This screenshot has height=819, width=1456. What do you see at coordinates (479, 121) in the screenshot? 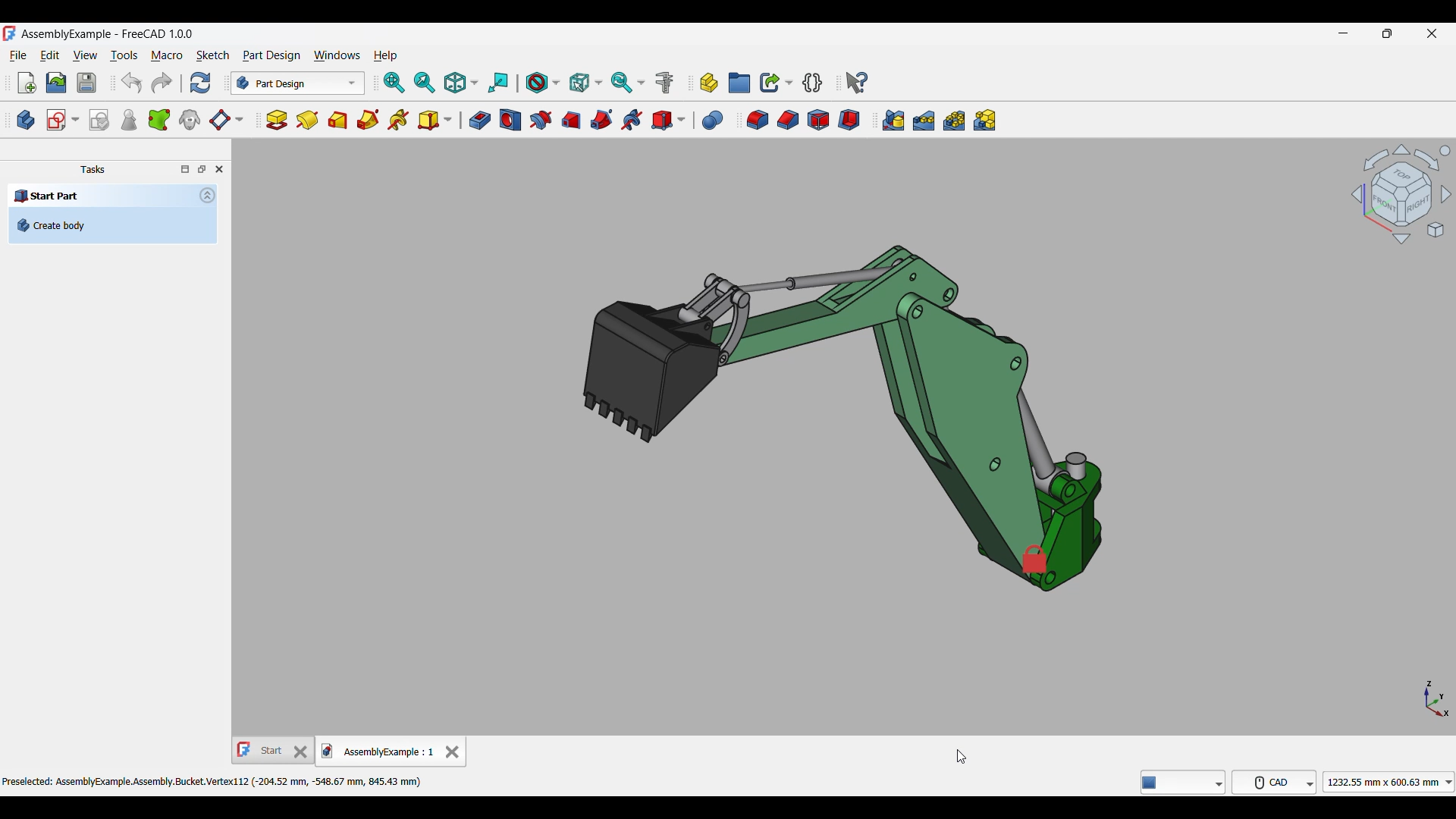
I see `Pocket` at bounding box center [479, 121].